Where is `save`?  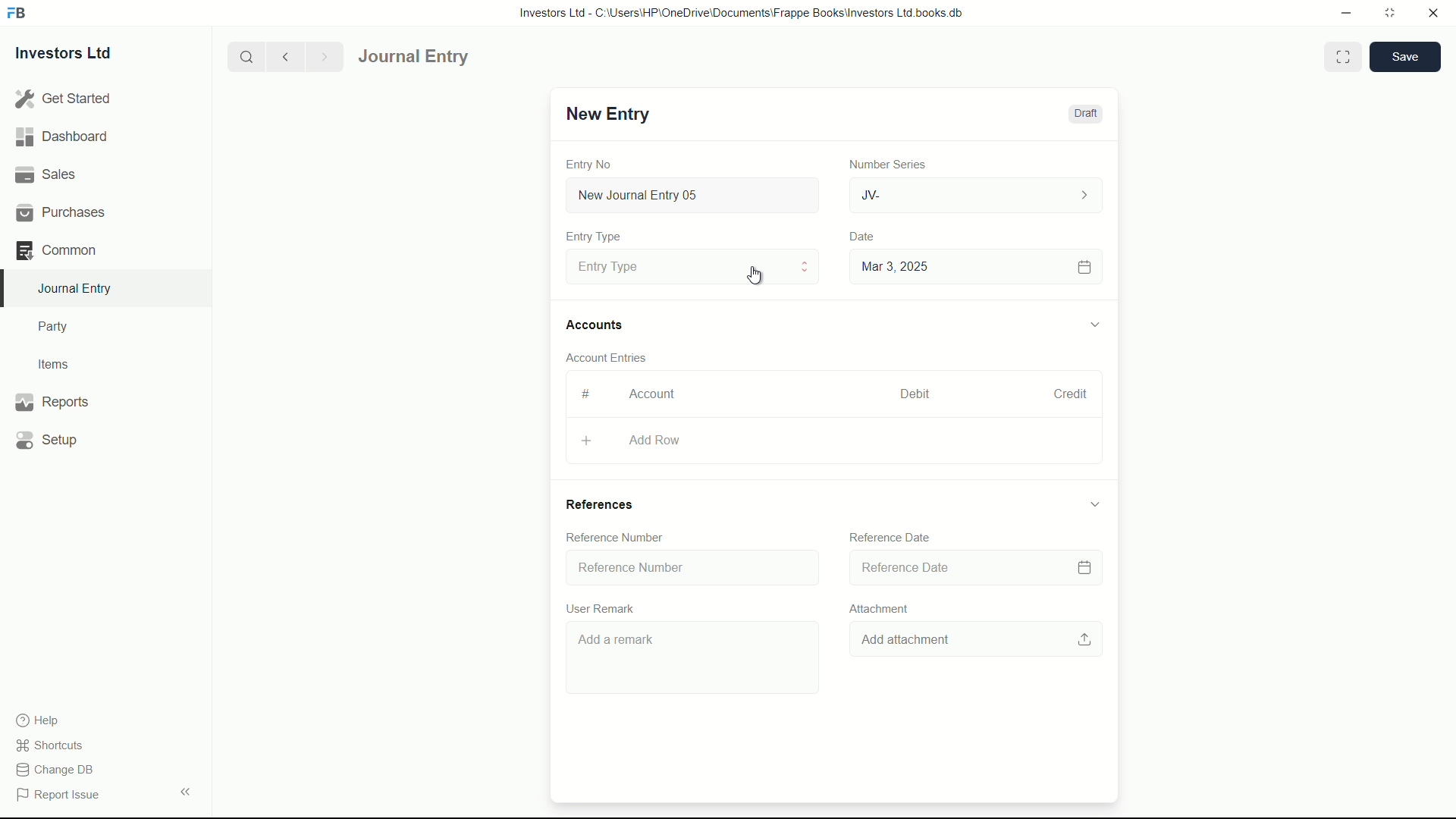 save is located at coordinates (1406, 57).